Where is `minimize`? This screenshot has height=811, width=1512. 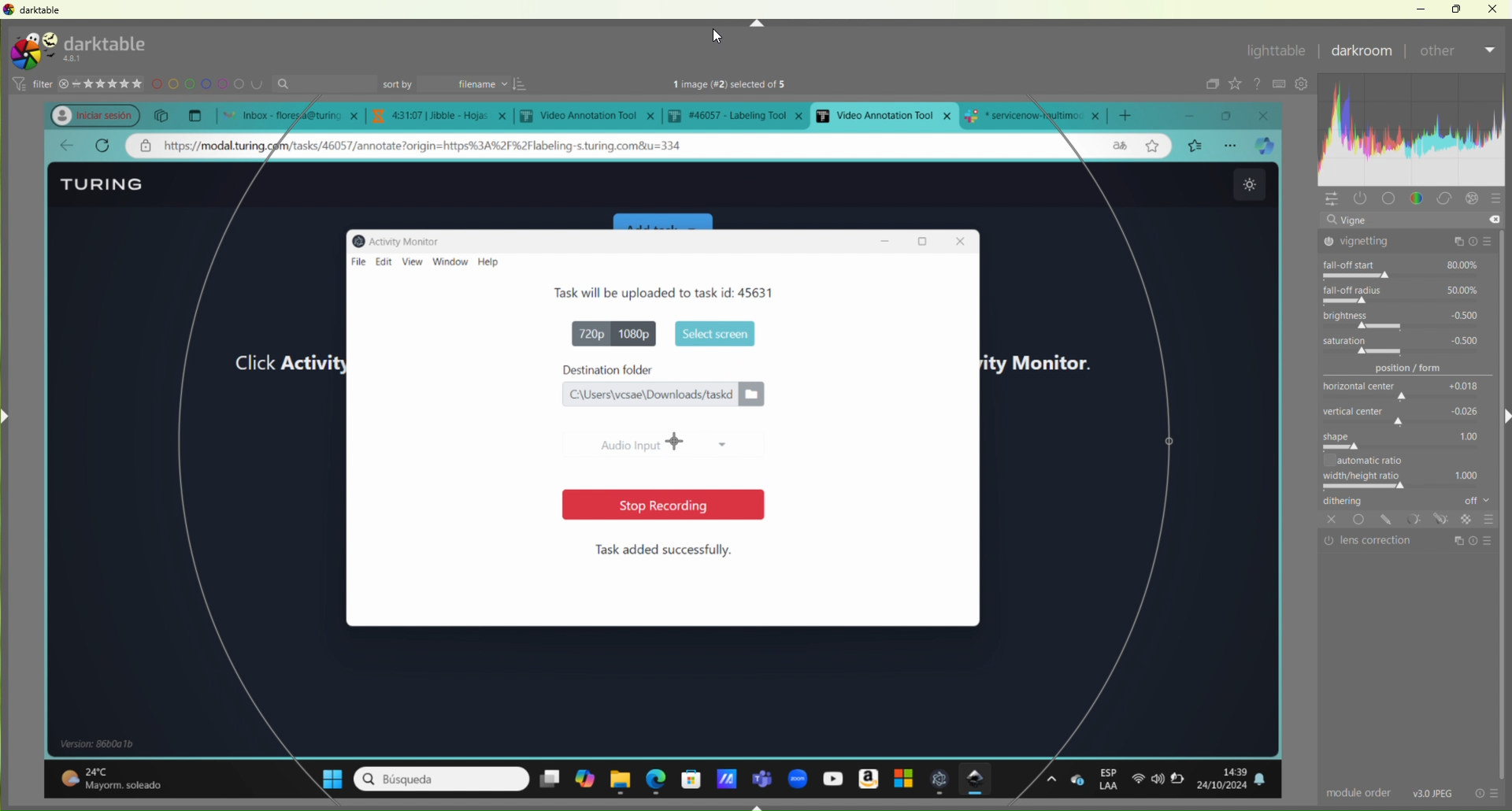 minimize is located at coordinates (1199, 115).